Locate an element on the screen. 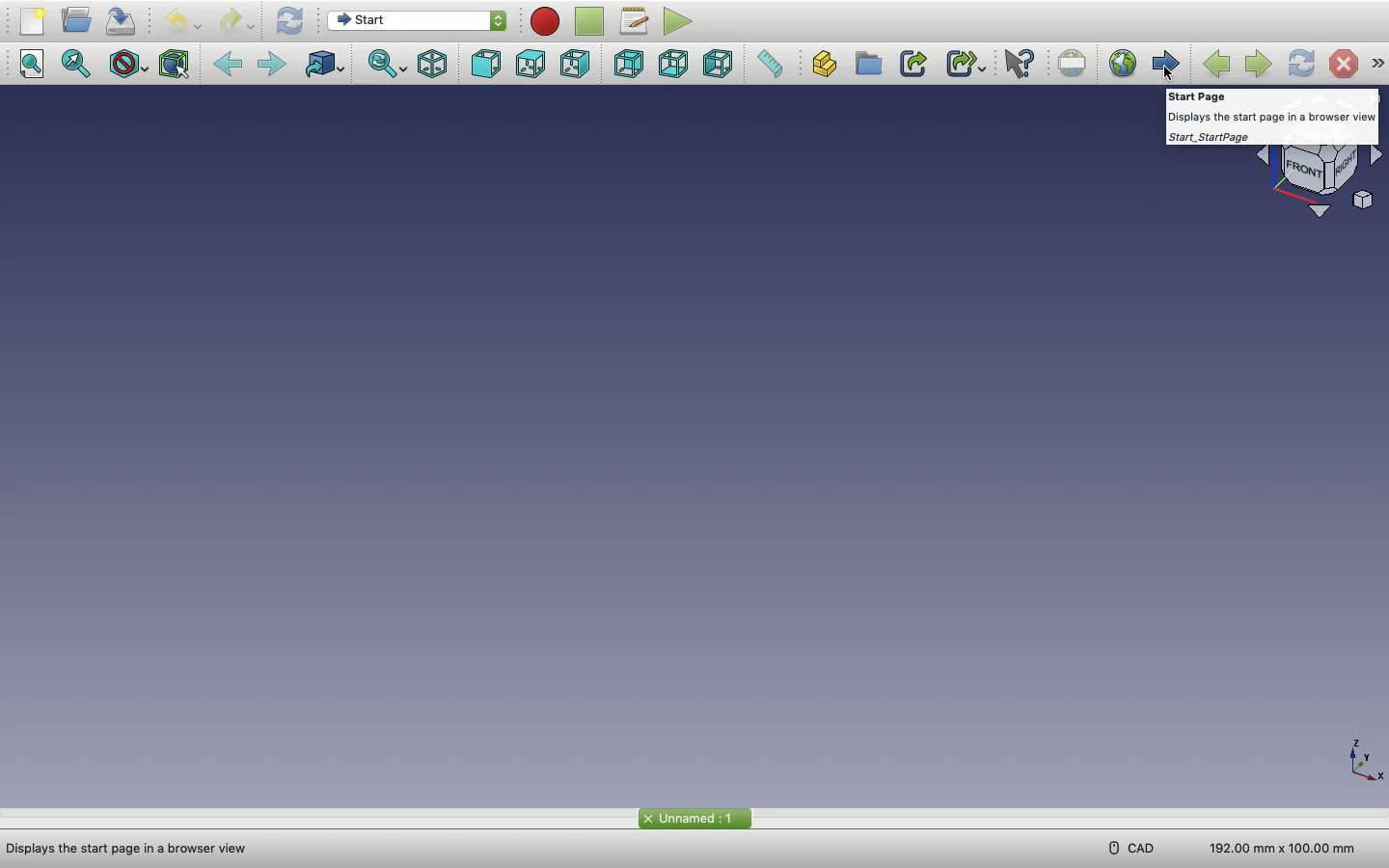  Open is located at coordinates (77, 21).